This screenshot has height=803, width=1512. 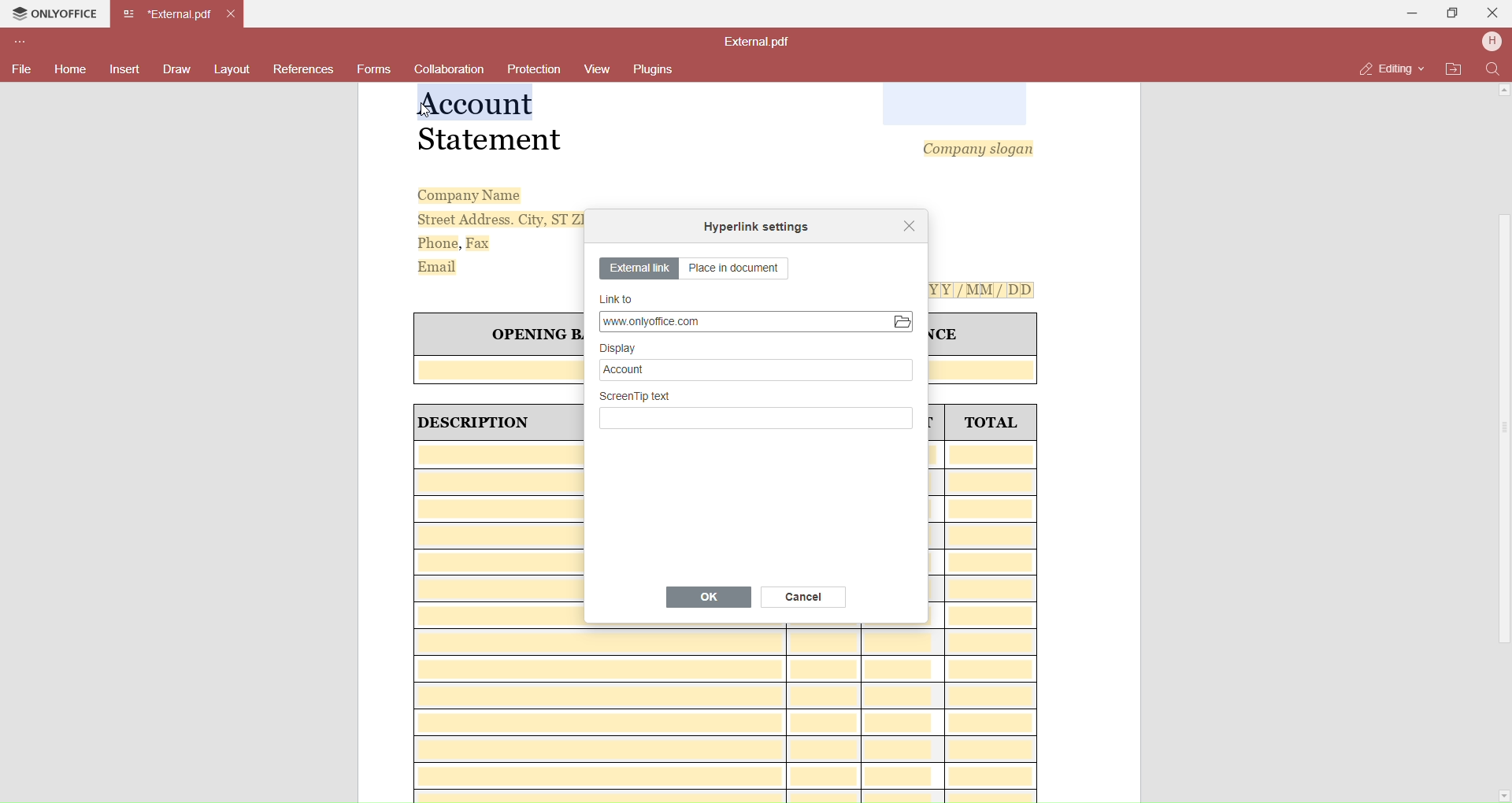 What do you see at coordinates (1502, 430) in the screenshot?
I see `Scroll Bar` at bounding box center [1502, 430].